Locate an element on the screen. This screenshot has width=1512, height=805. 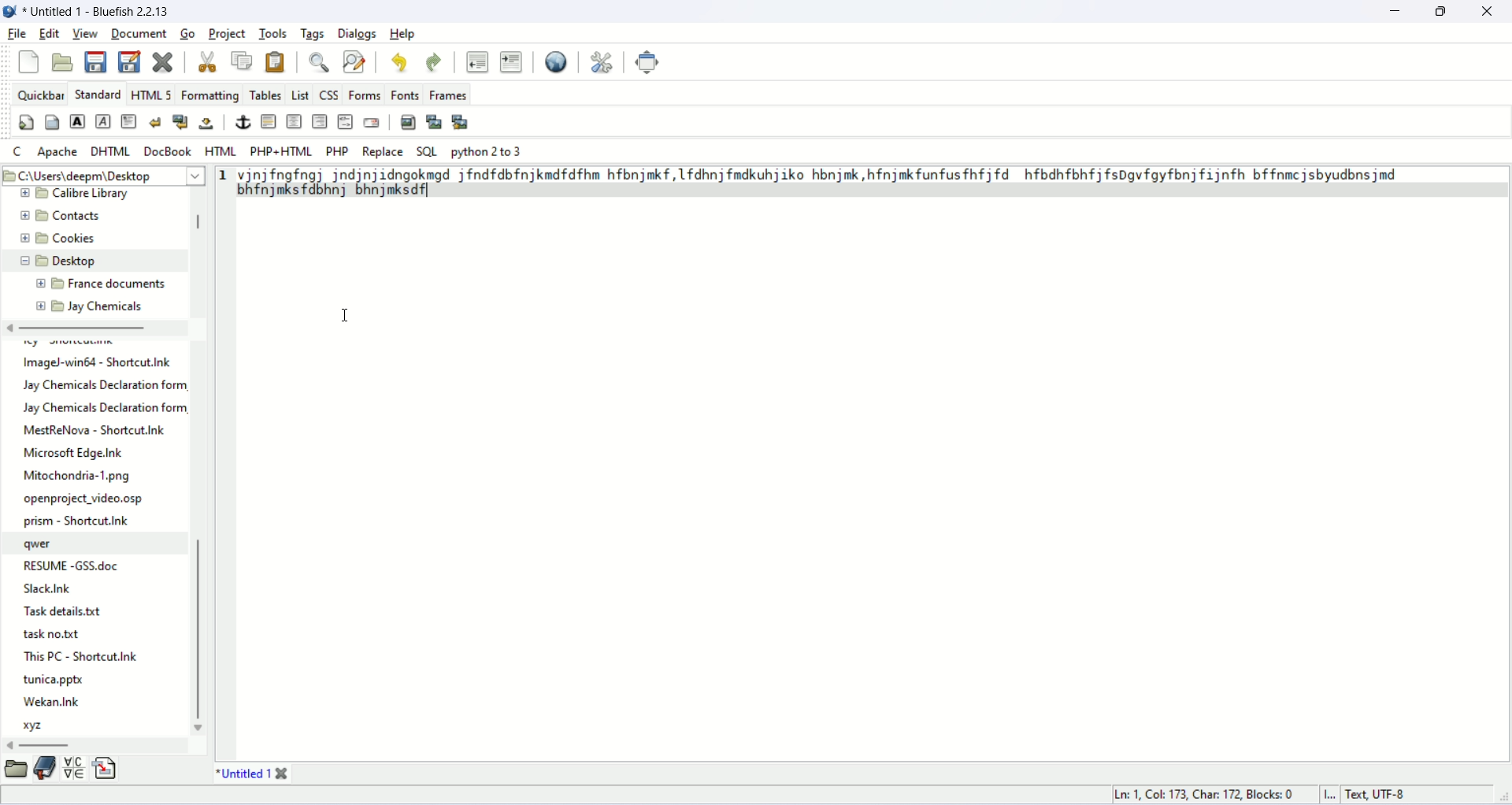
line number is located at coordinates (223, 177).